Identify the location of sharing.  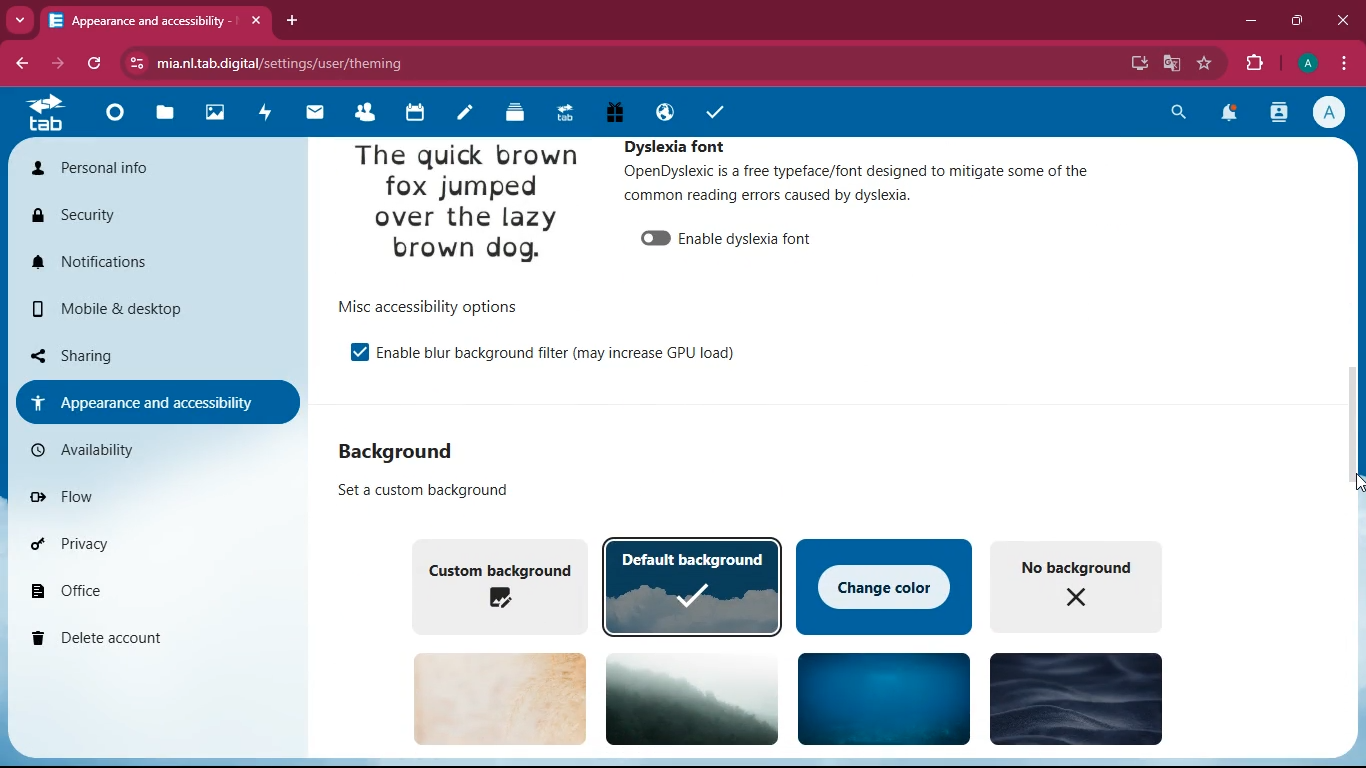
(140, 353).